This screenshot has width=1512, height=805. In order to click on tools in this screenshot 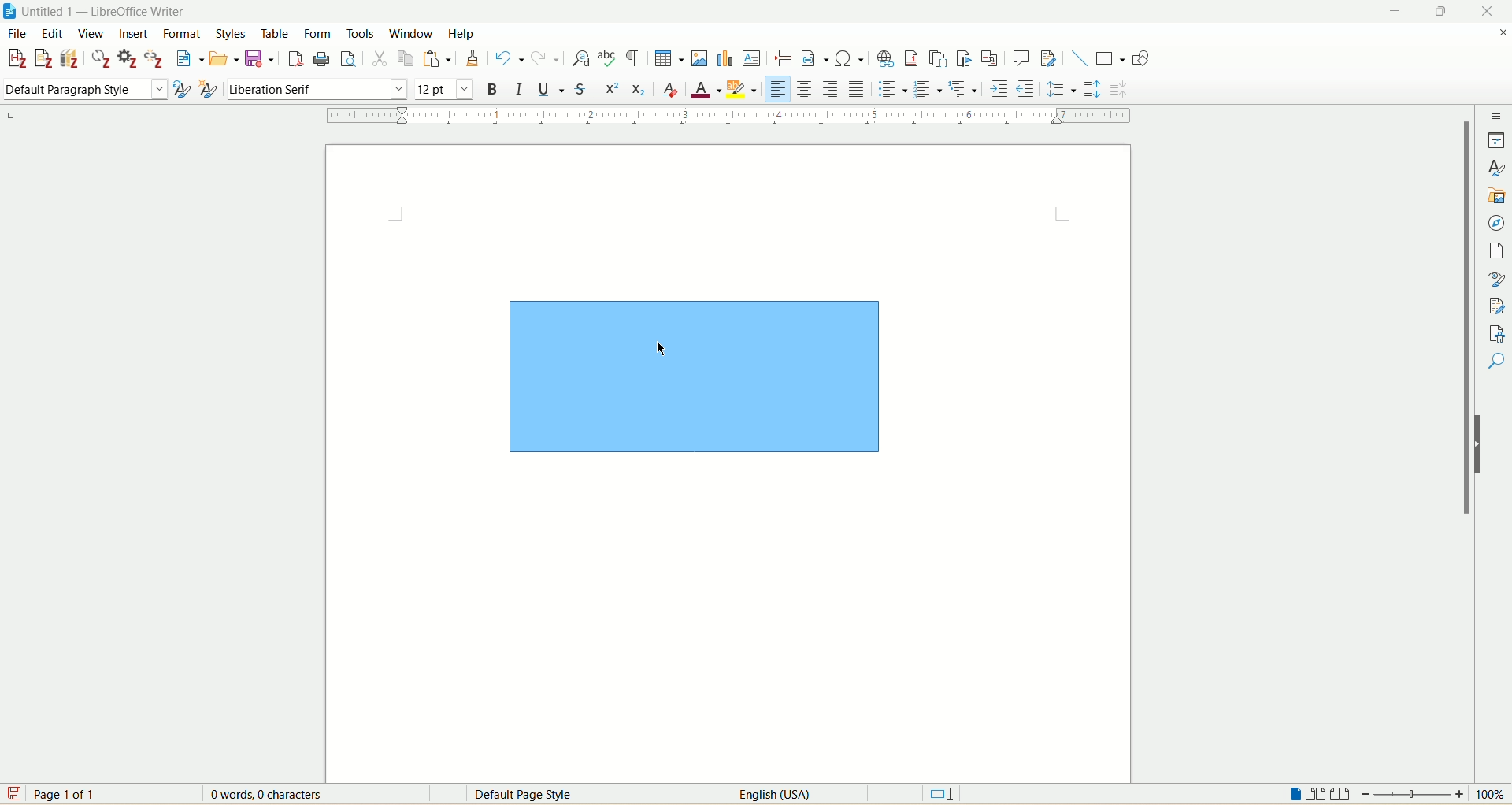, I will do `click(362, 32)`.